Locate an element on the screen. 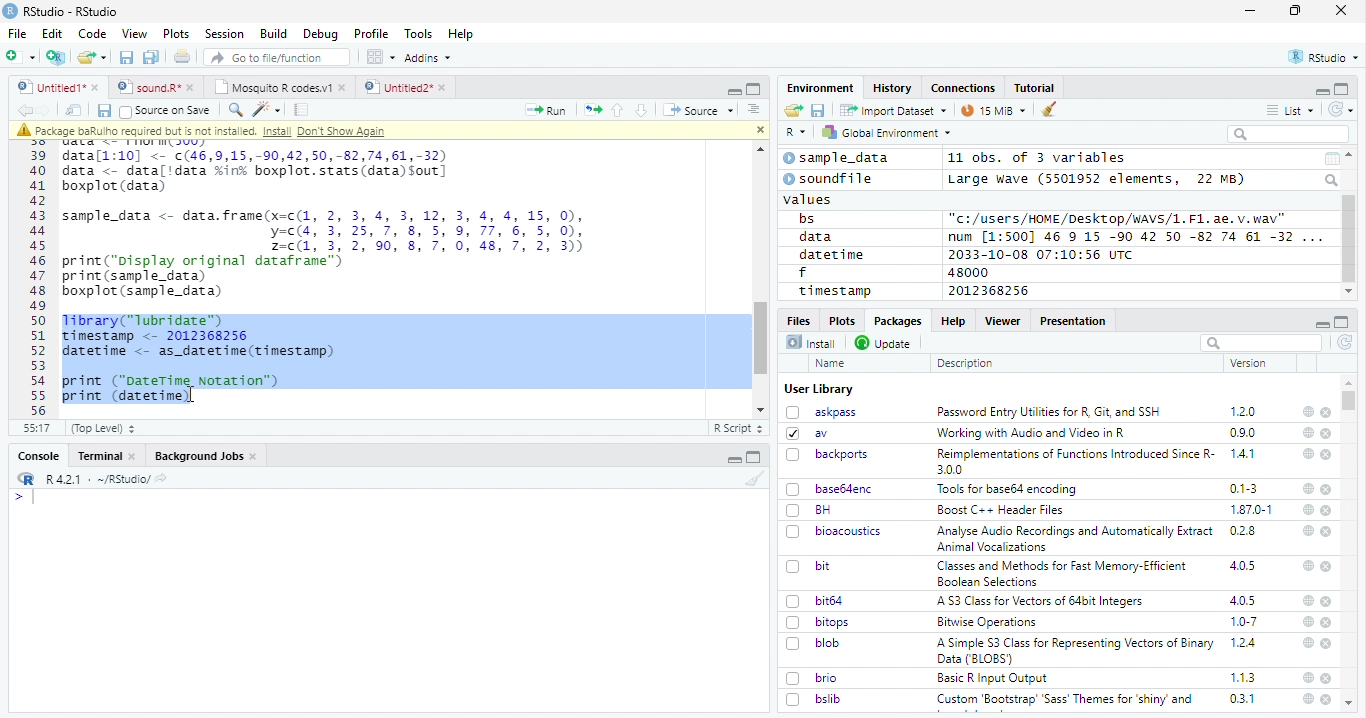  Re-run the previous code region is located at coordinates (591, 111).